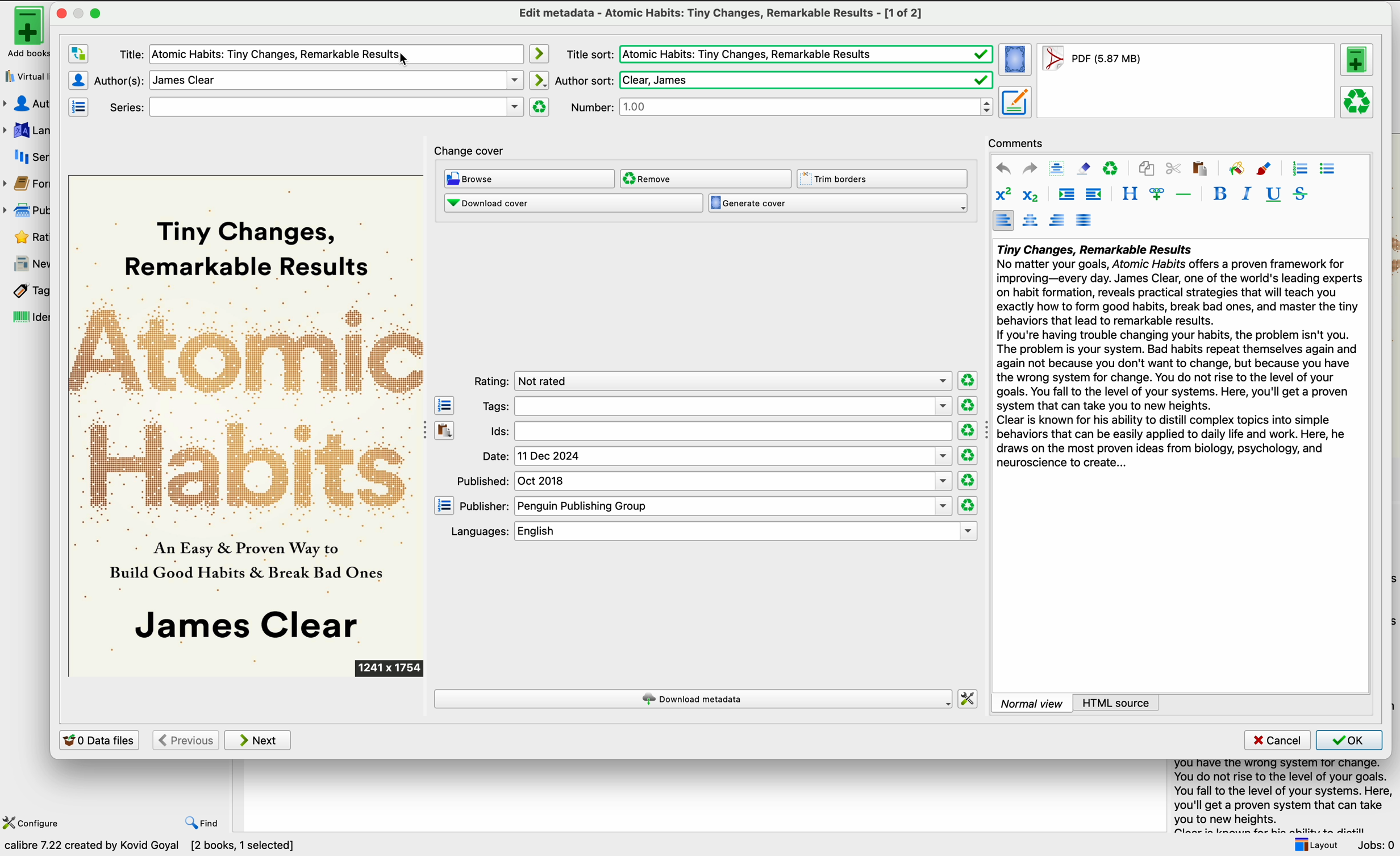 Image resolution: width=1400 pixels, height=856 pixels. I want to click on strikeythrough, so click(1301, 194).